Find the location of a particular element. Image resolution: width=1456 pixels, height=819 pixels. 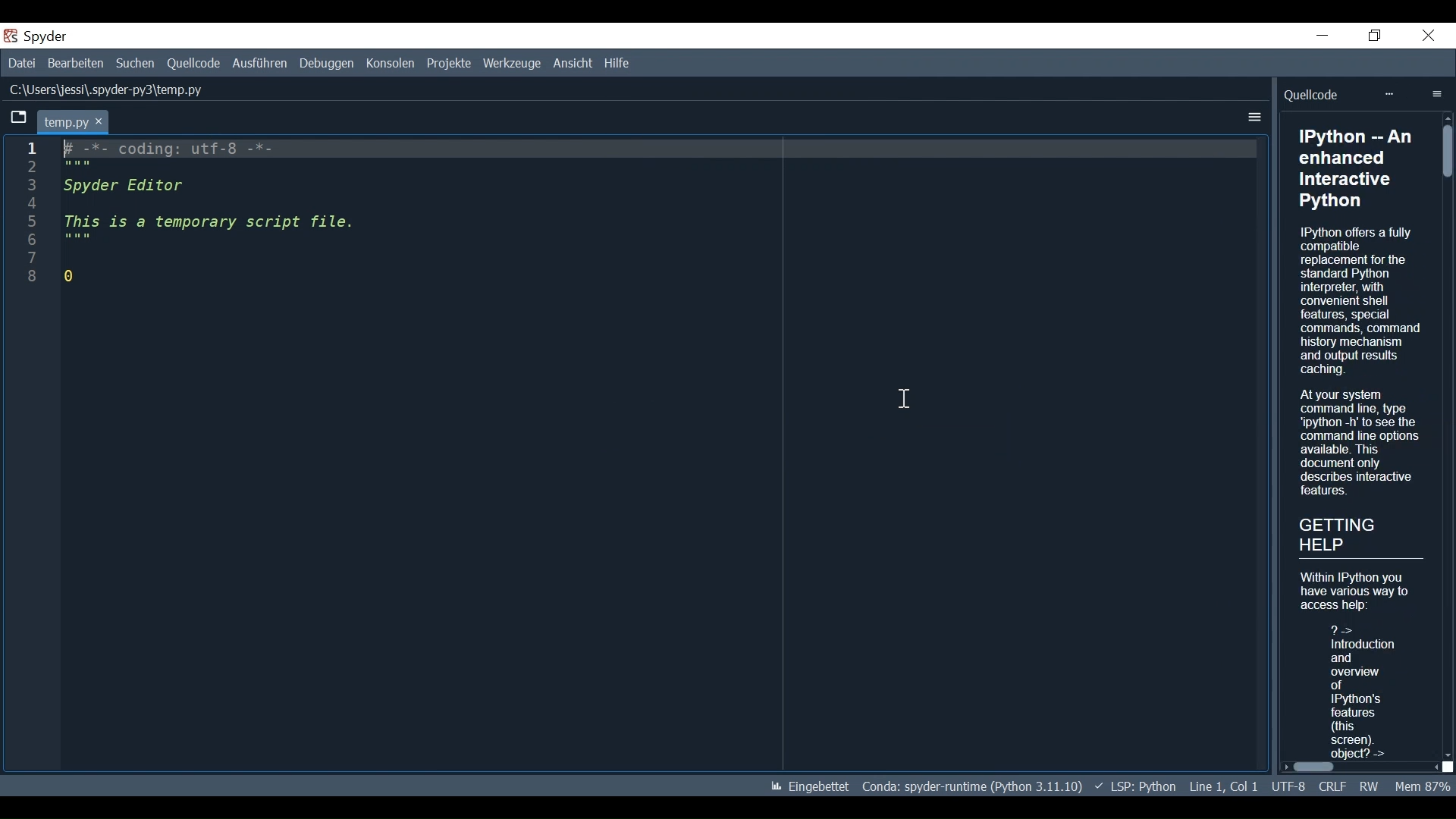

Projects is located at coordinates (450, 64).